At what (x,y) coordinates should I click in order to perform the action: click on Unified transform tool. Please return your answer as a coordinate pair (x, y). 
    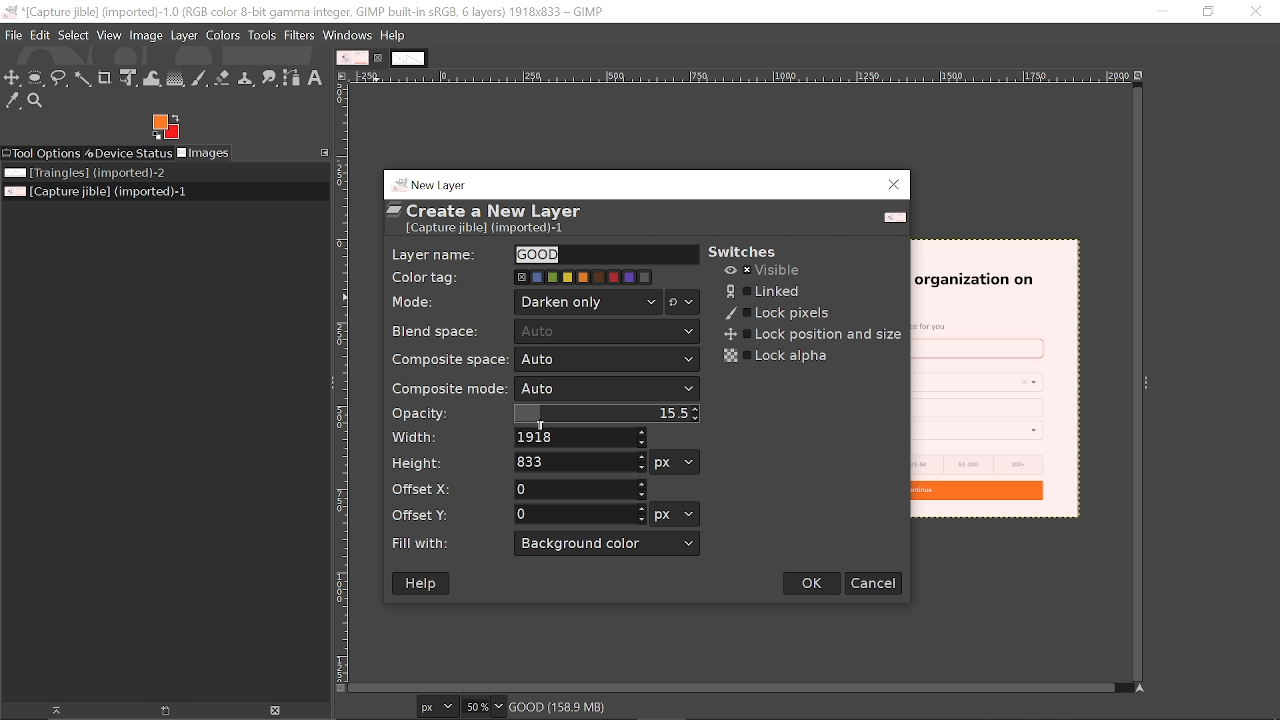
    Looking at the image, I should click on (128, 78).